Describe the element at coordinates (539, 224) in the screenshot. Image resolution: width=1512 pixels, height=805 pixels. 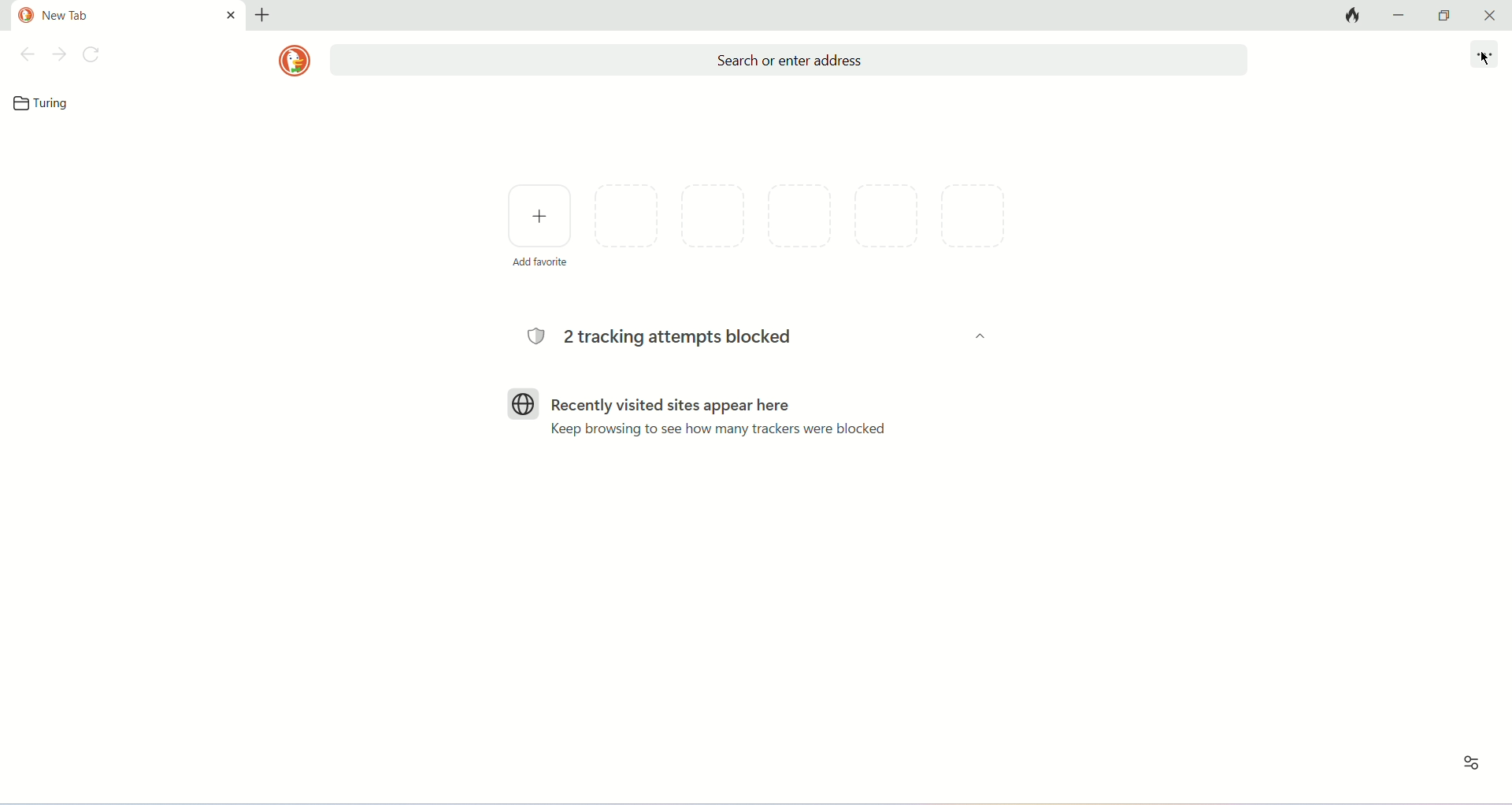
I see `add favorite` at that location.